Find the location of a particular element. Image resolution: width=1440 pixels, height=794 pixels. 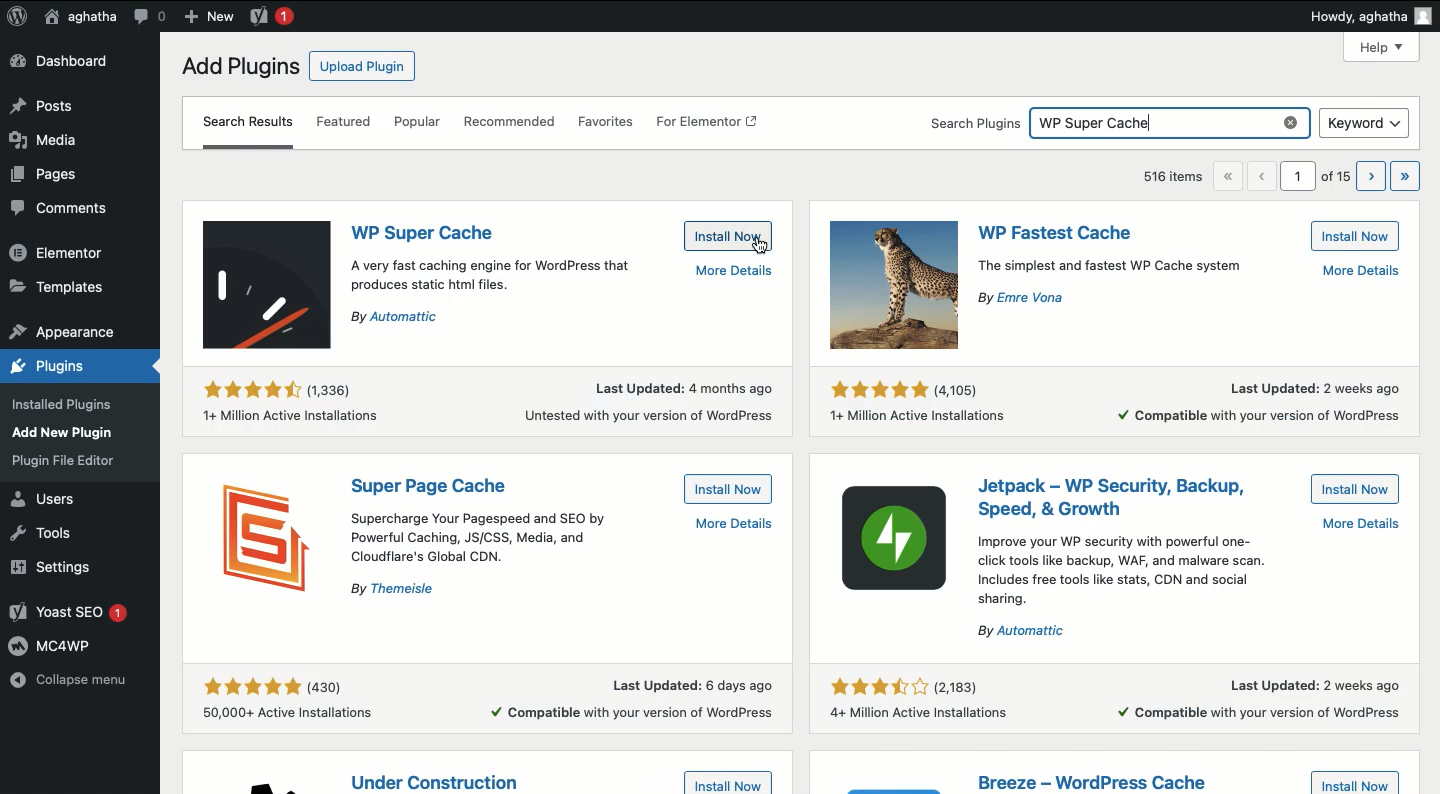

Dashboard is located at coordinates (61, 62).